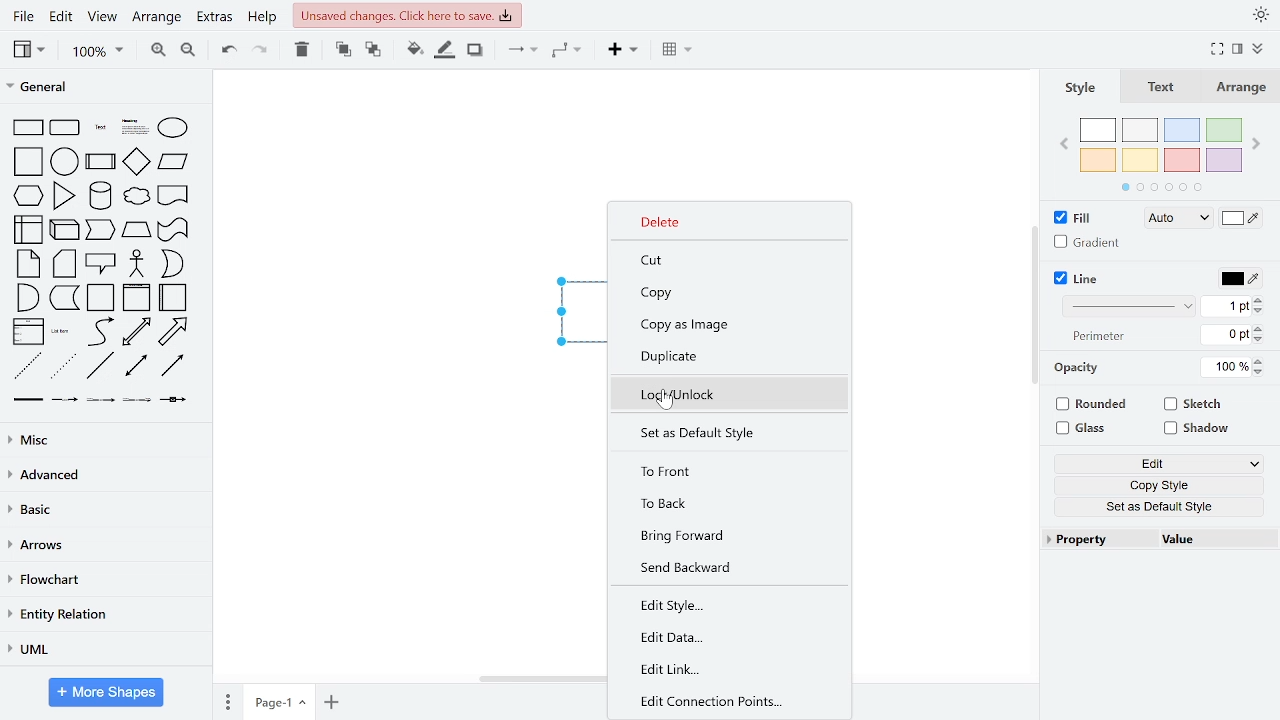 Image resolution: width=1280 pixels, height=720 pixels. What do you see at coordinates (174, 298) in the screenshot?
I see `horizontal container` at bounding box center [174, 298].